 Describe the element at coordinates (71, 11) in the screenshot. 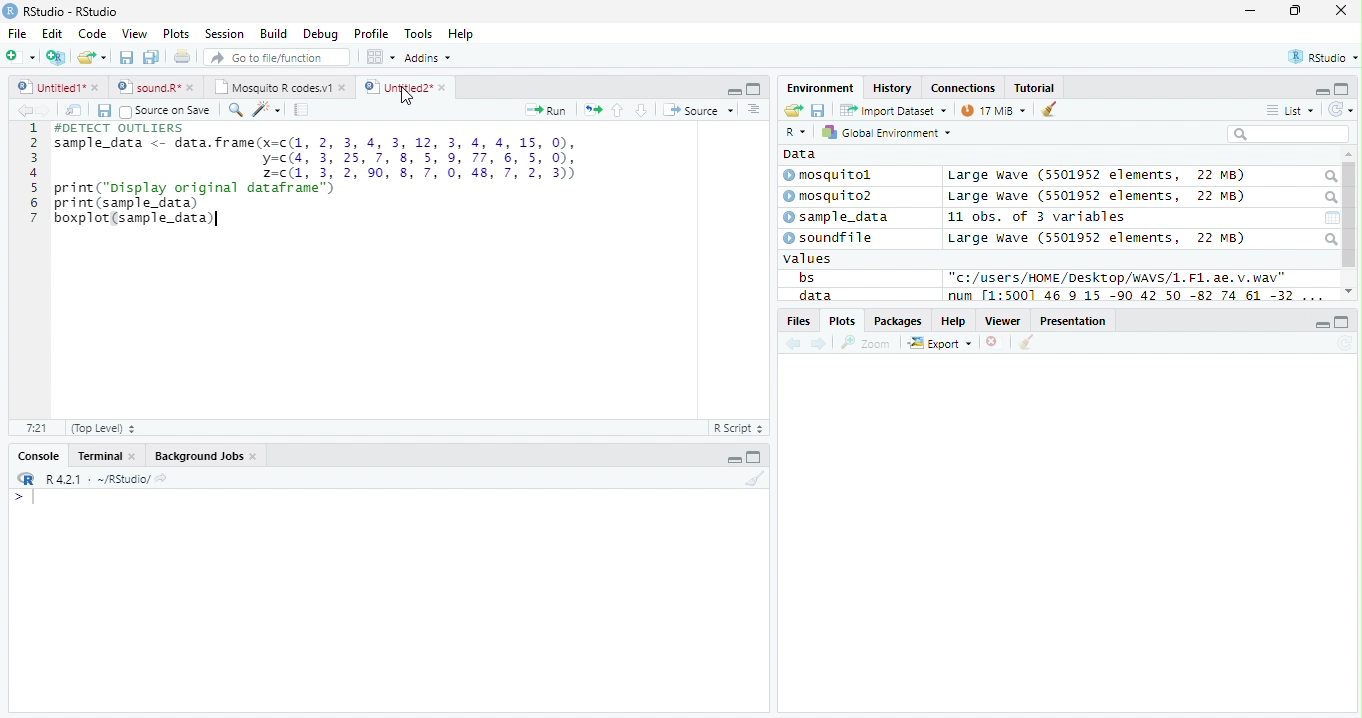

I see `RStudio - RStudio` at that location.